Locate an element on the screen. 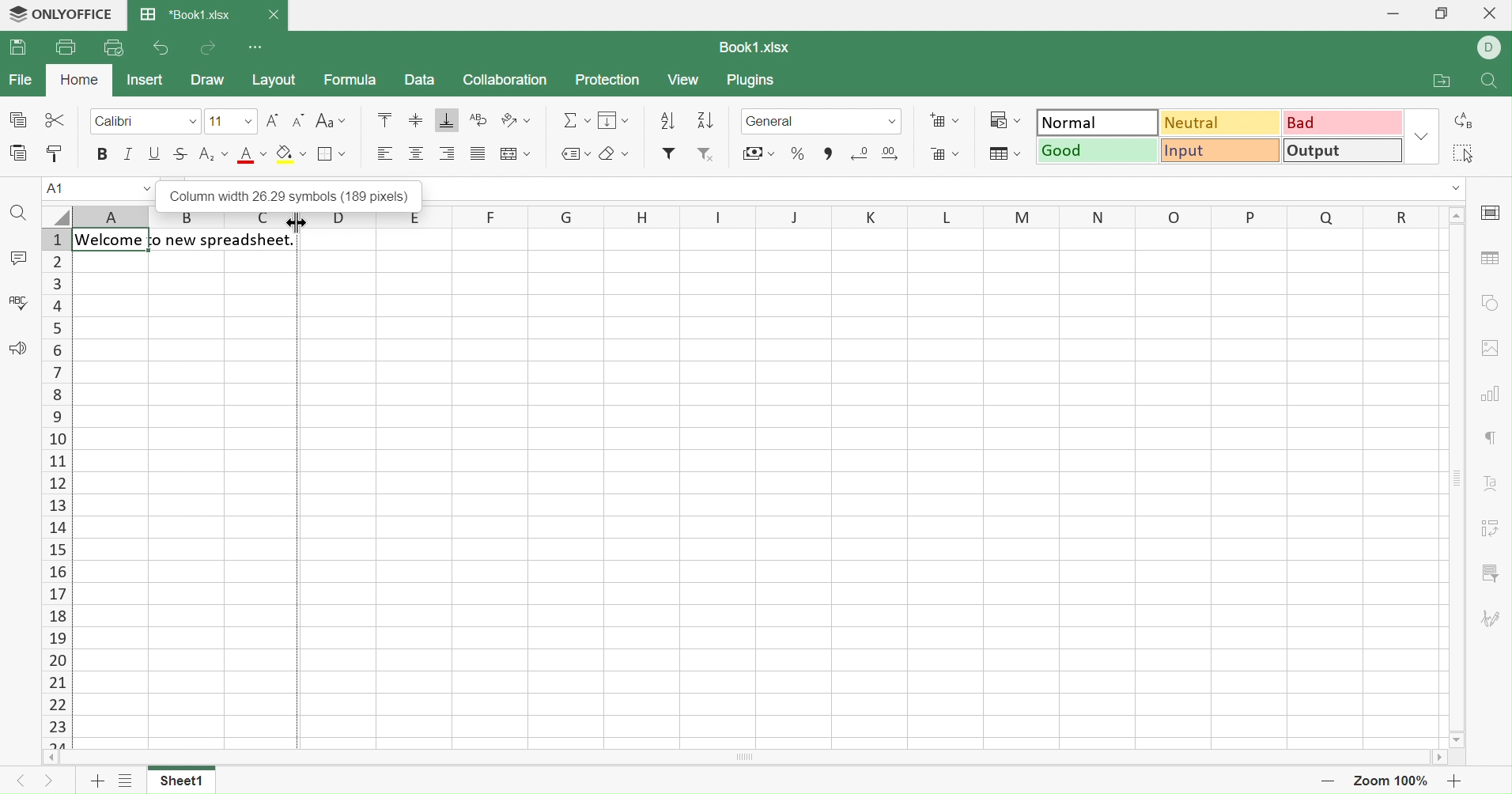 The width and height of the screenshot is (1512, 794). Ascending order is located at coordinates (667, 121).